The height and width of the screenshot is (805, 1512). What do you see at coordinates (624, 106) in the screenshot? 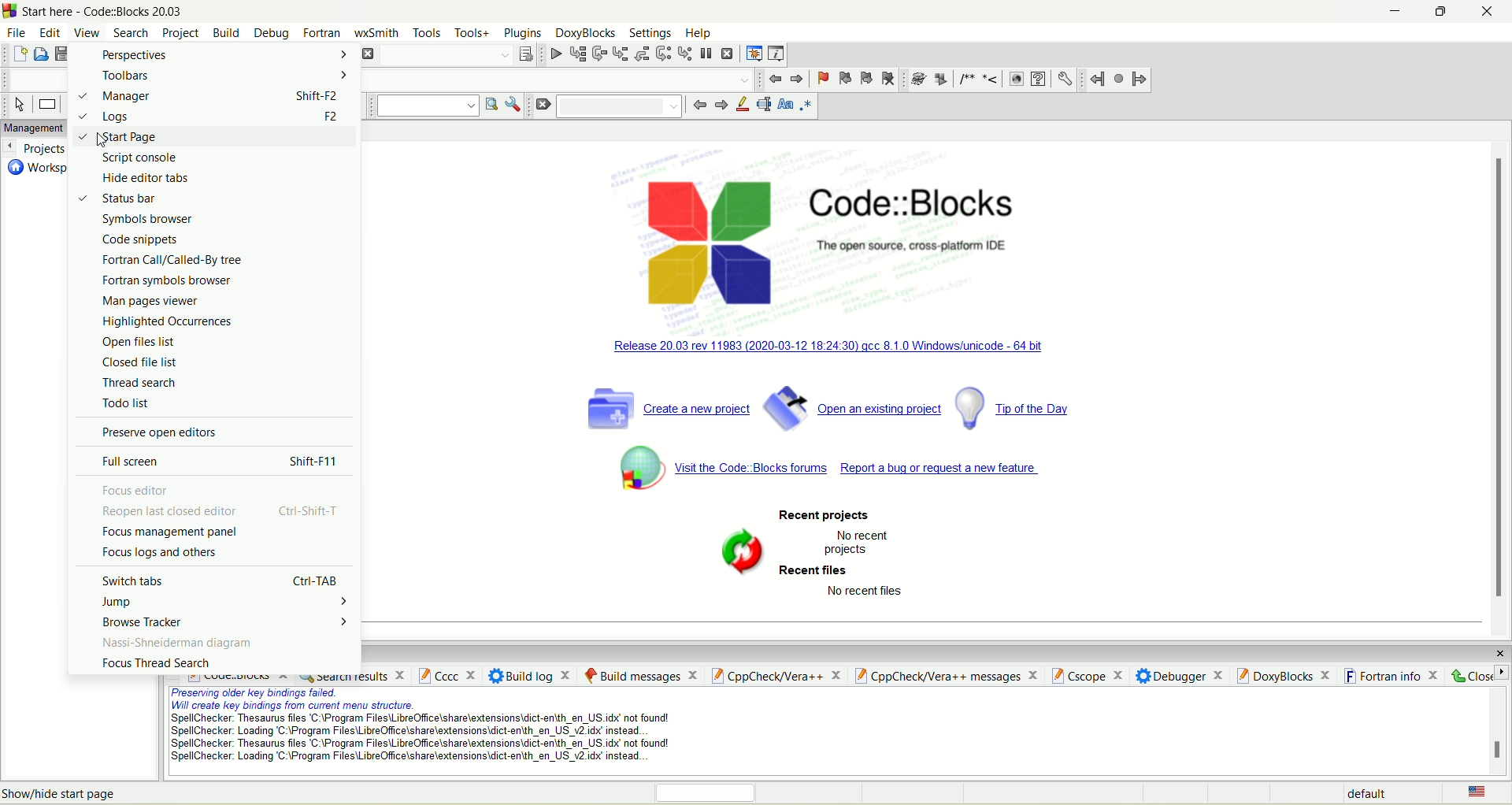
I see `Search` at bounding box center [624, 106].